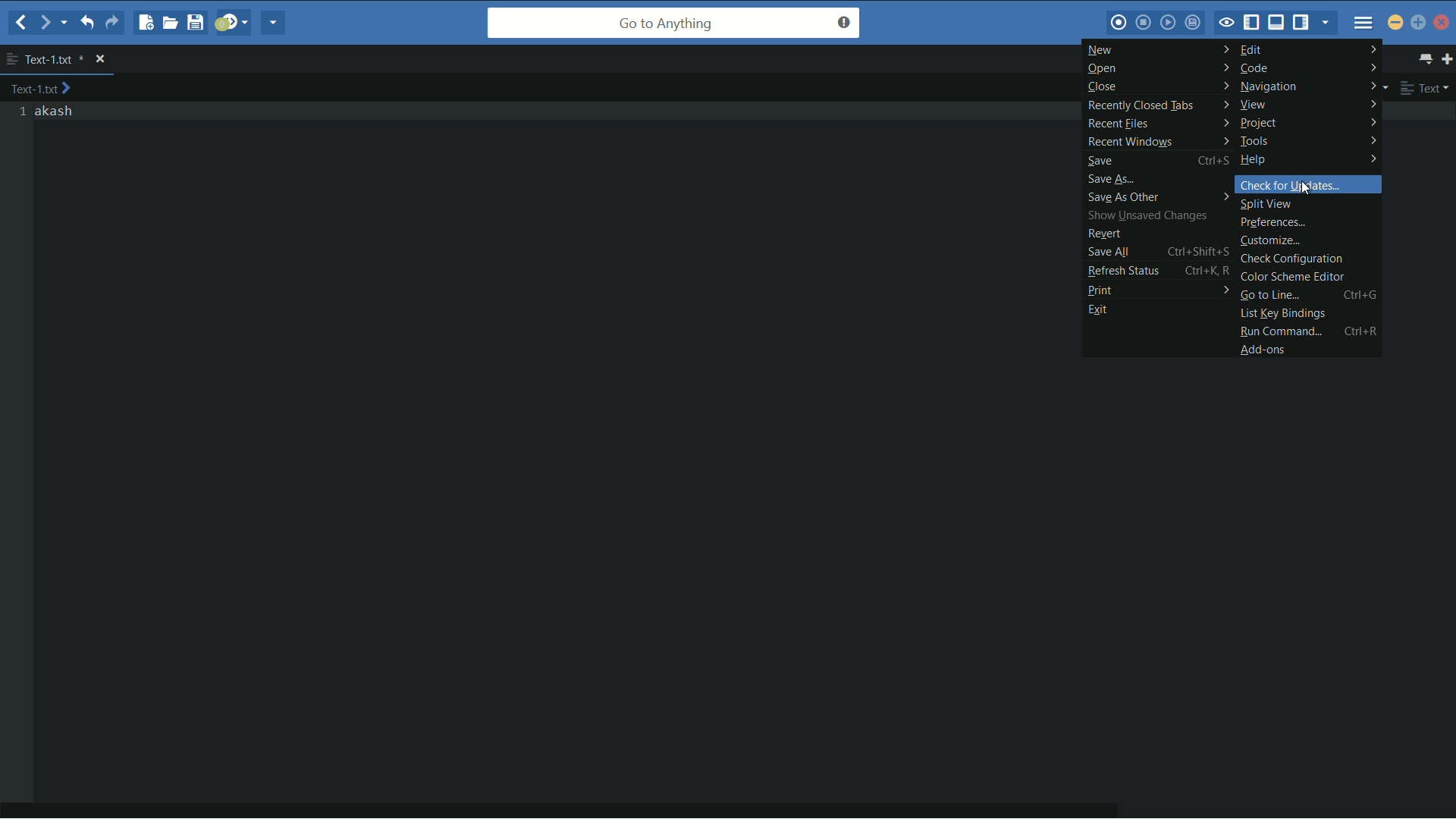  What do you see at coordinates (1160, 67) in the screenshot?
I see `open` at bounding box center [1160, 67].